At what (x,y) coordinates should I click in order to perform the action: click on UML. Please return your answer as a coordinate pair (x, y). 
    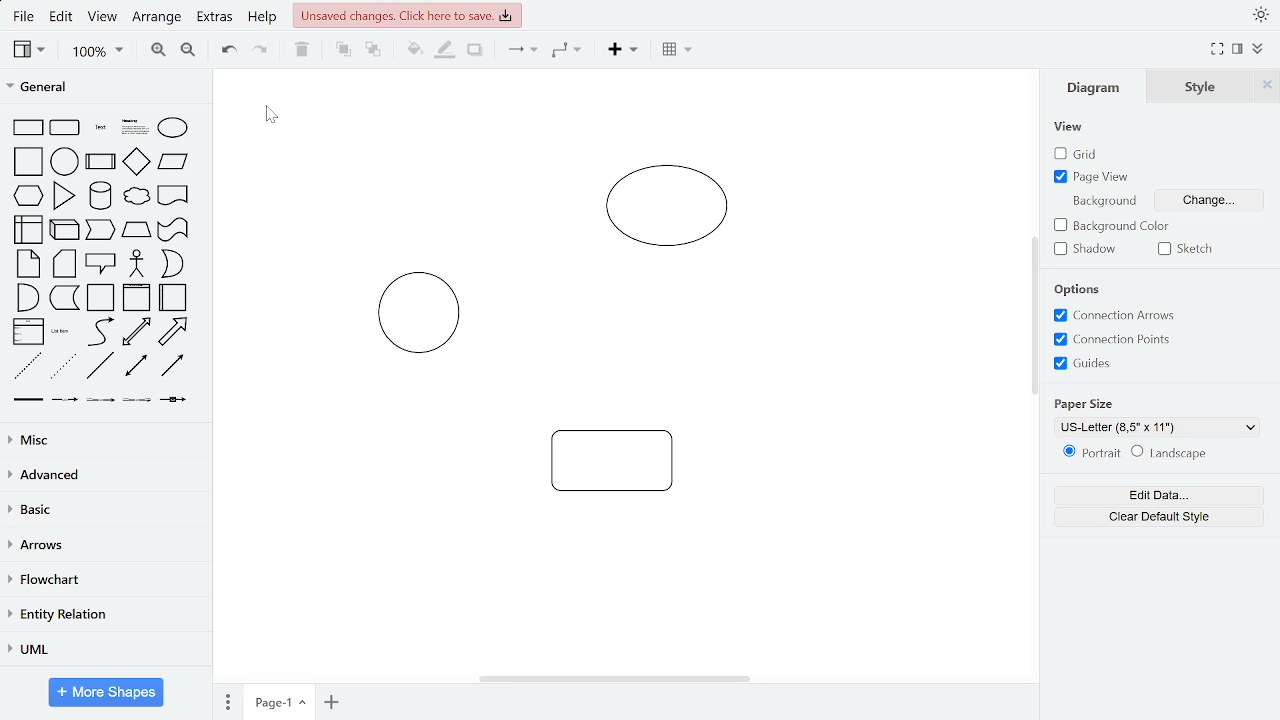
    Looking at the image, I should click on (103, 649).